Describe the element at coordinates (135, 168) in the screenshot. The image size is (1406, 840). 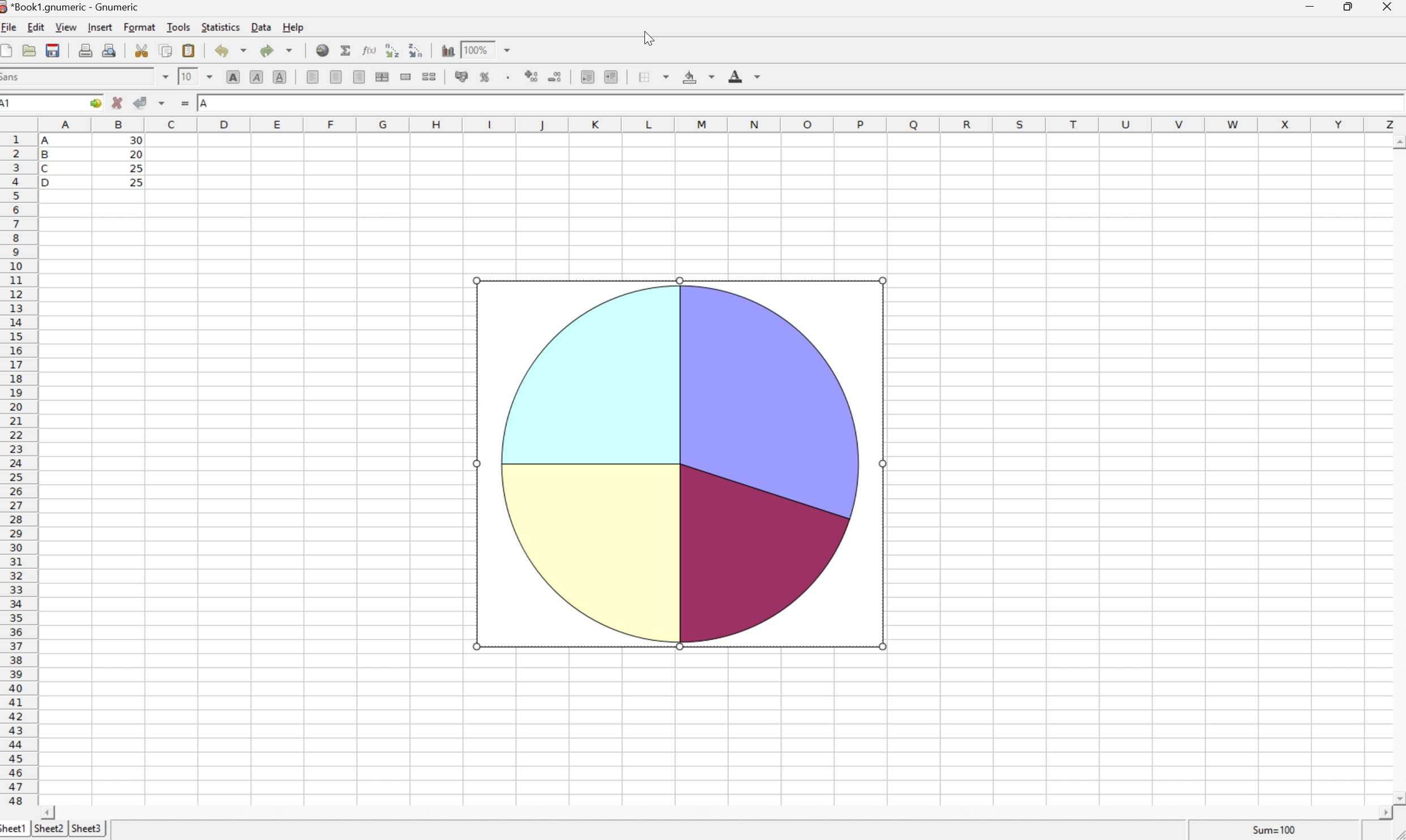
I see `25` at that location.